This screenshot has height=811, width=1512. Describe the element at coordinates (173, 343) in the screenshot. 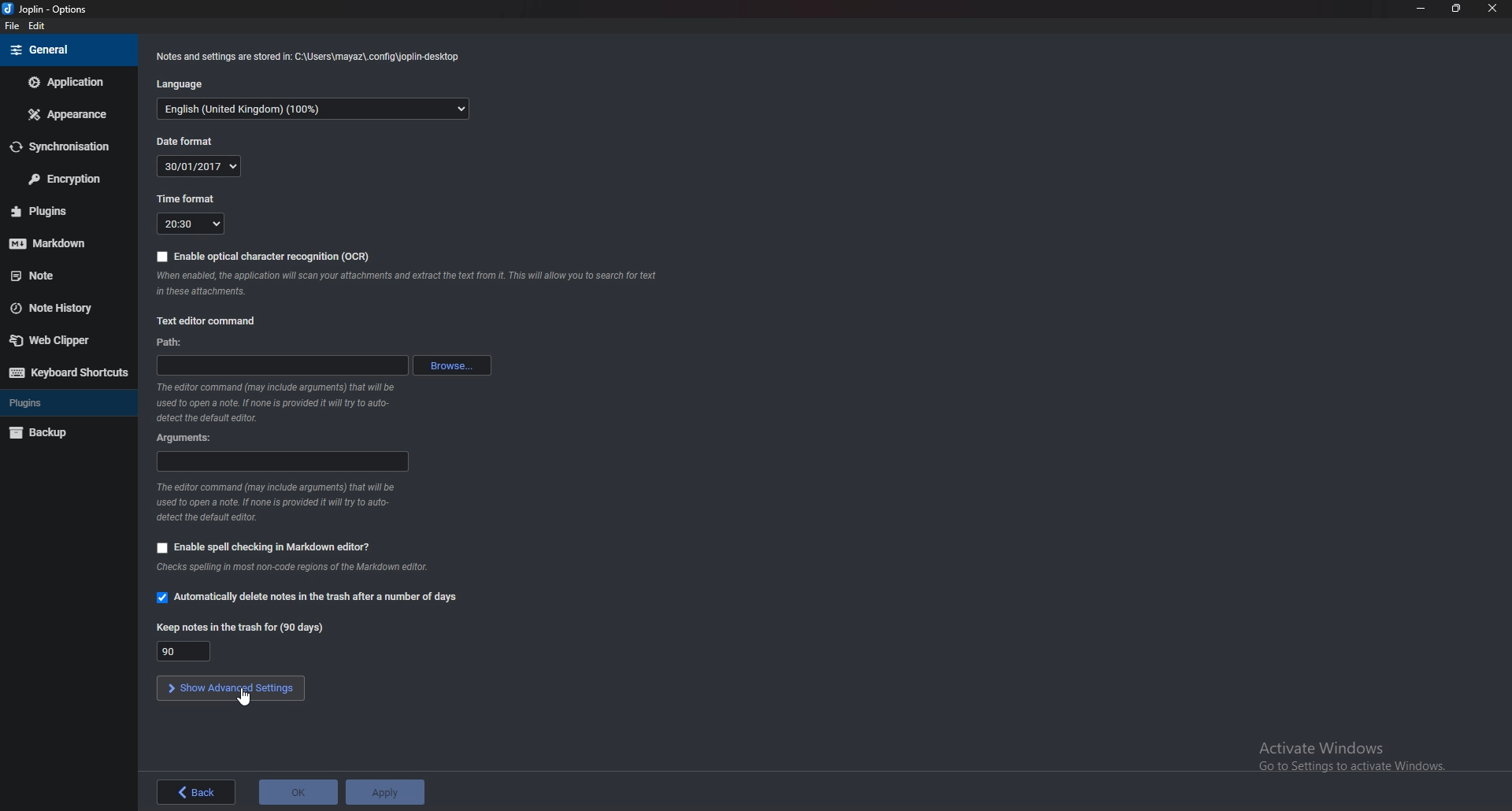

I see `path` at that location.